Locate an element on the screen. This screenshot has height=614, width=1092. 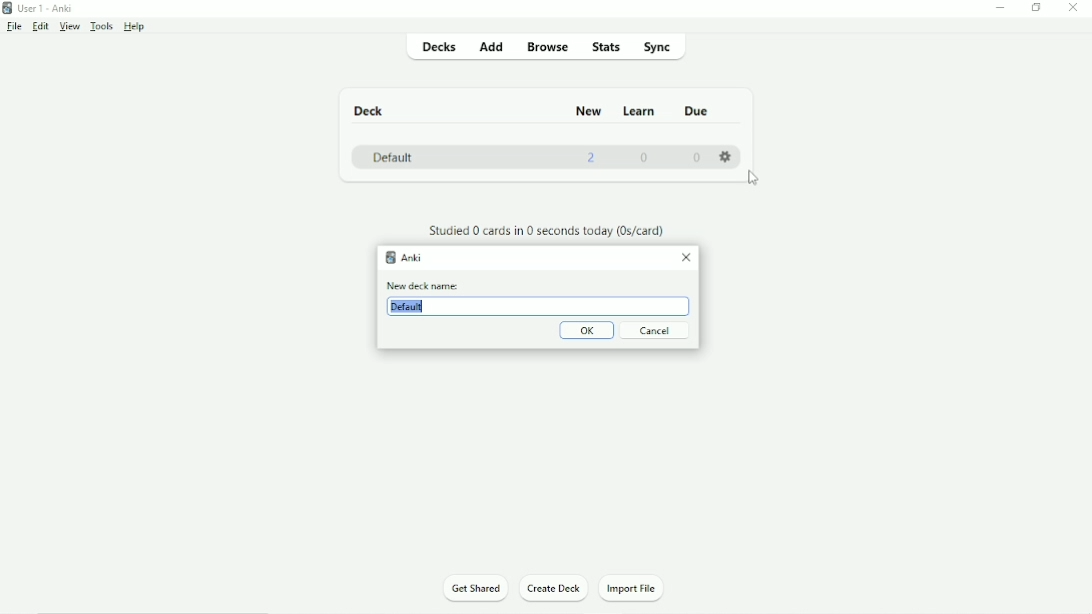
New deck name: is located at coordinates (424, 285).